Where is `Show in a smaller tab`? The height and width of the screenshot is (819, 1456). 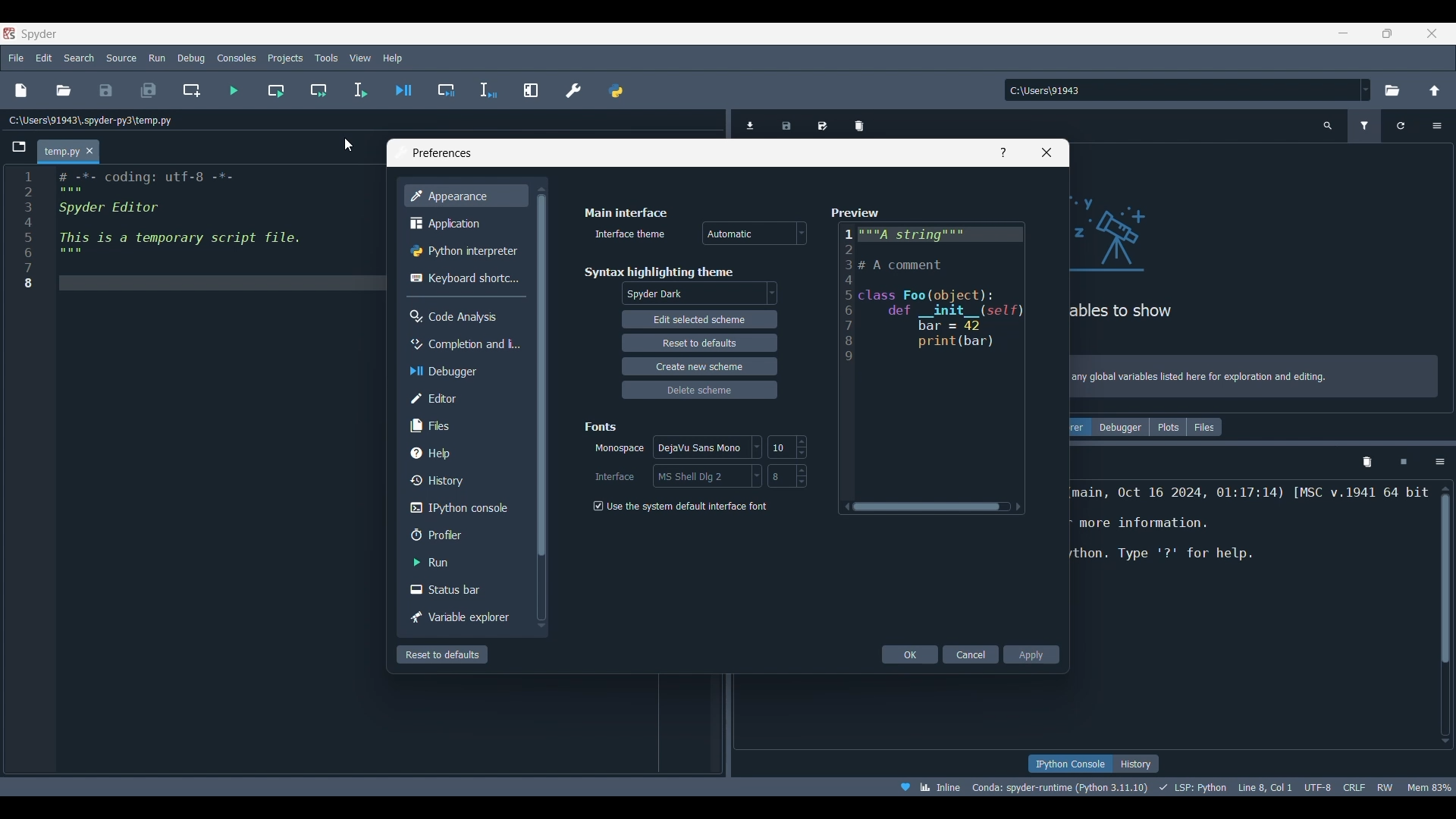
Show in a smaller tab is located at coordinates (1388, 34).